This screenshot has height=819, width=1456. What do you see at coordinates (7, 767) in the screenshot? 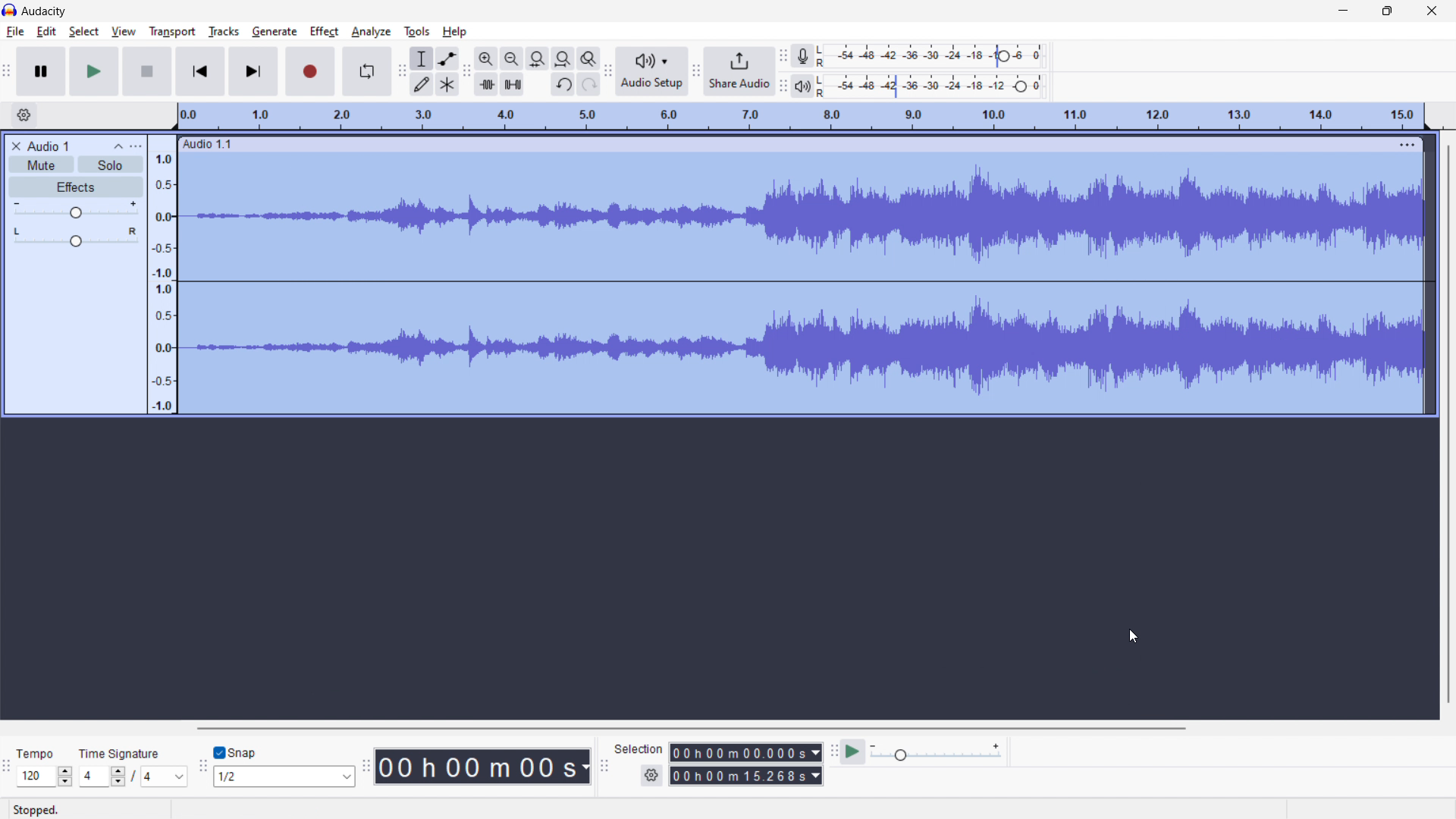
I see `time signature toolbar` at bounding box center [7, 767].